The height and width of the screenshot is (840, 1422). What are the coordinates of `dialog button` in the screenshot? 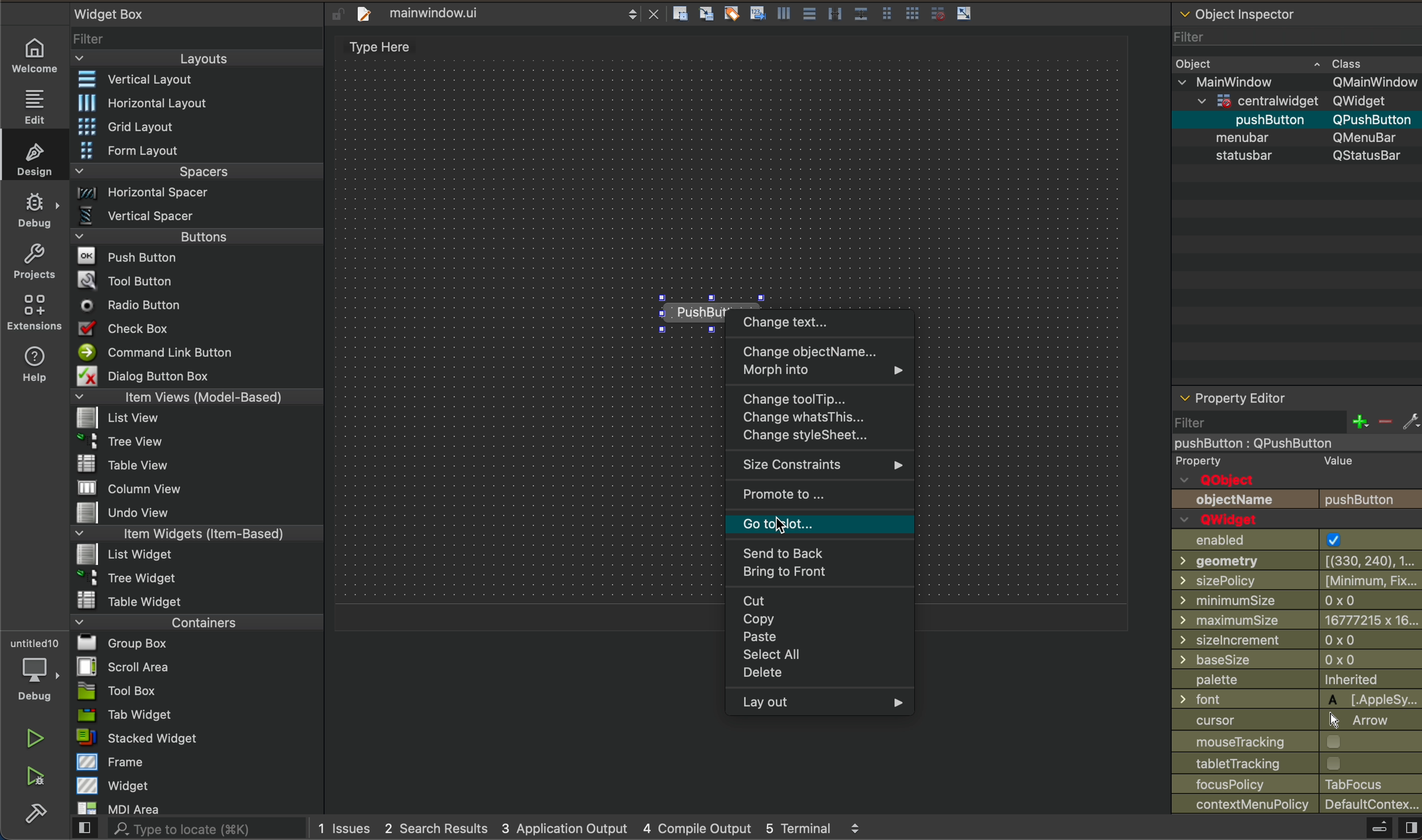 It's located at (200, 377).